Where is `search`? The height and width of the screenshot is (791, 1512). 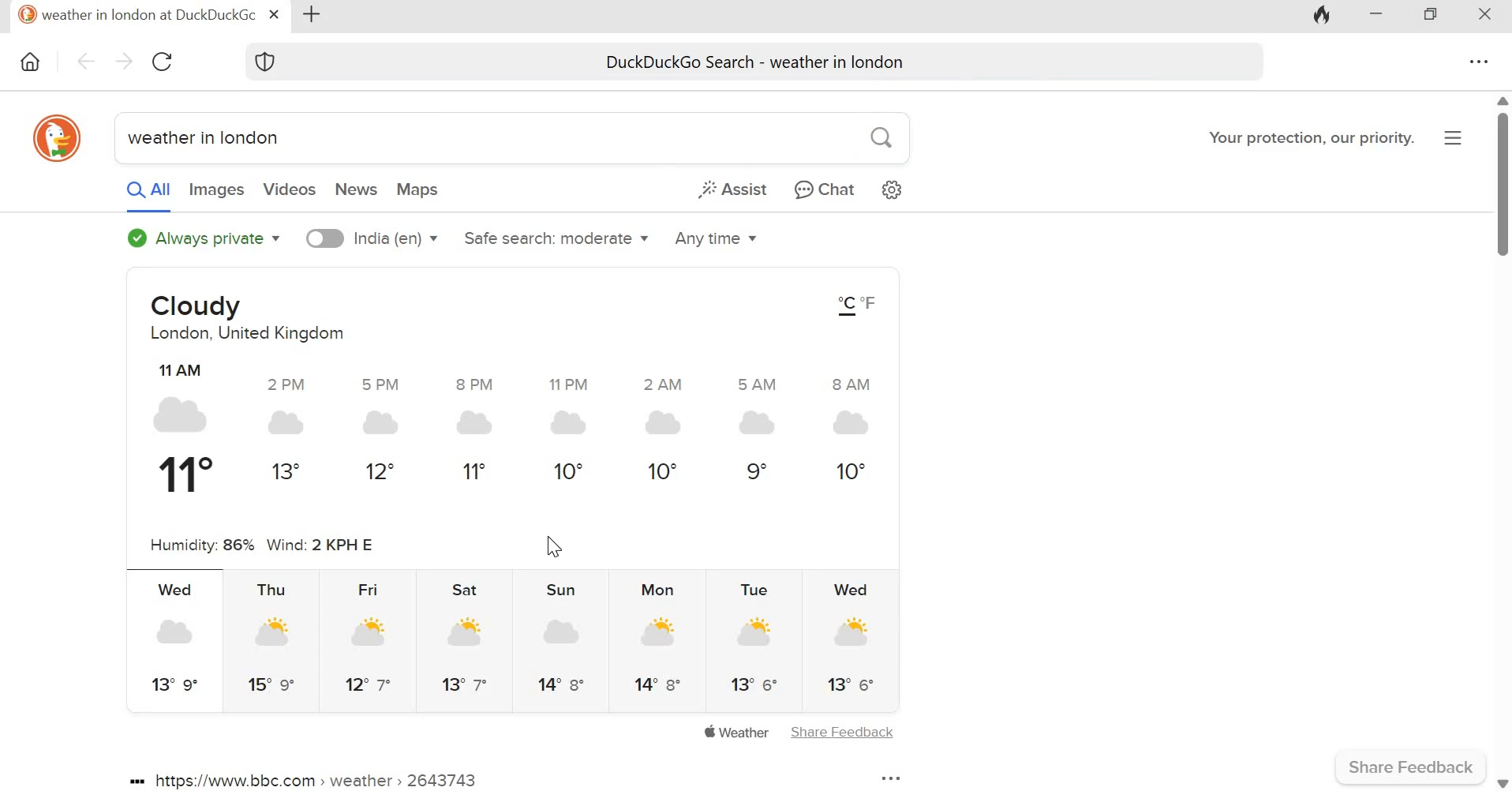
search is located at coordinates (597, 137).